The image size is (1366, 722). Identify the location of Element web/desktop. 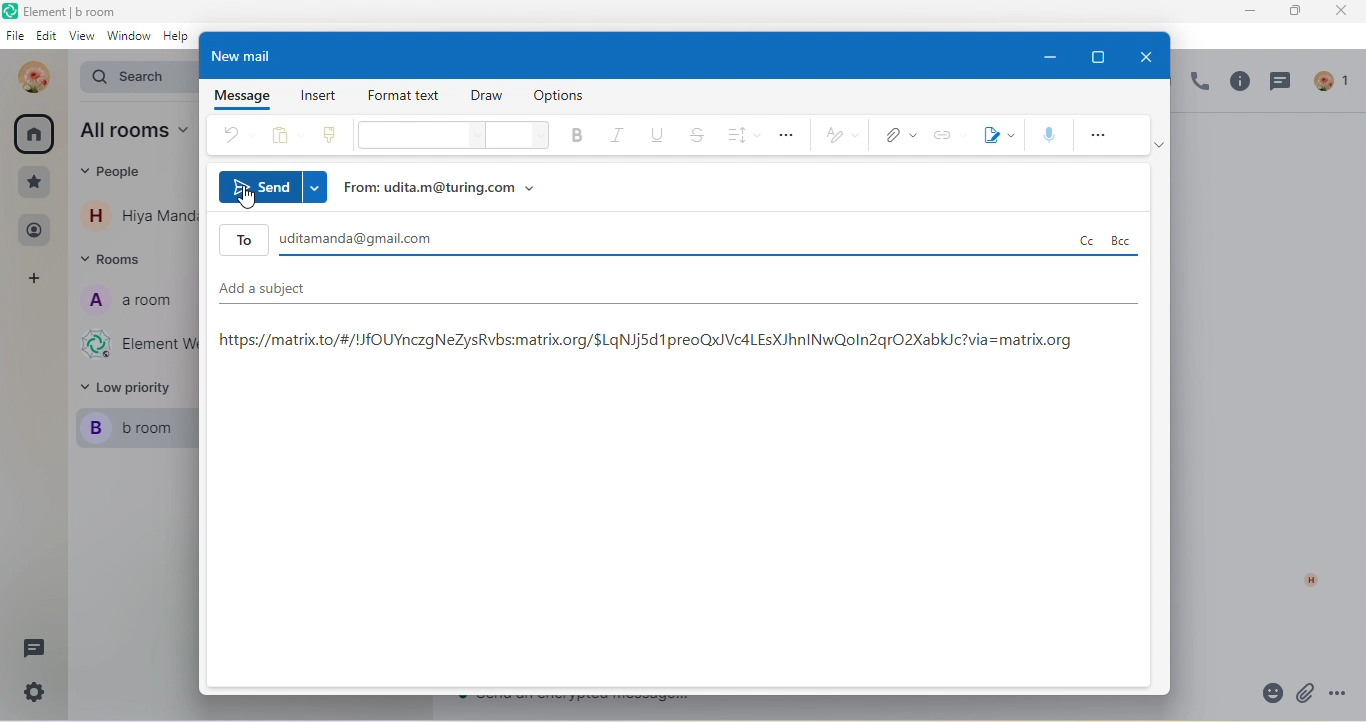
(135, 347).